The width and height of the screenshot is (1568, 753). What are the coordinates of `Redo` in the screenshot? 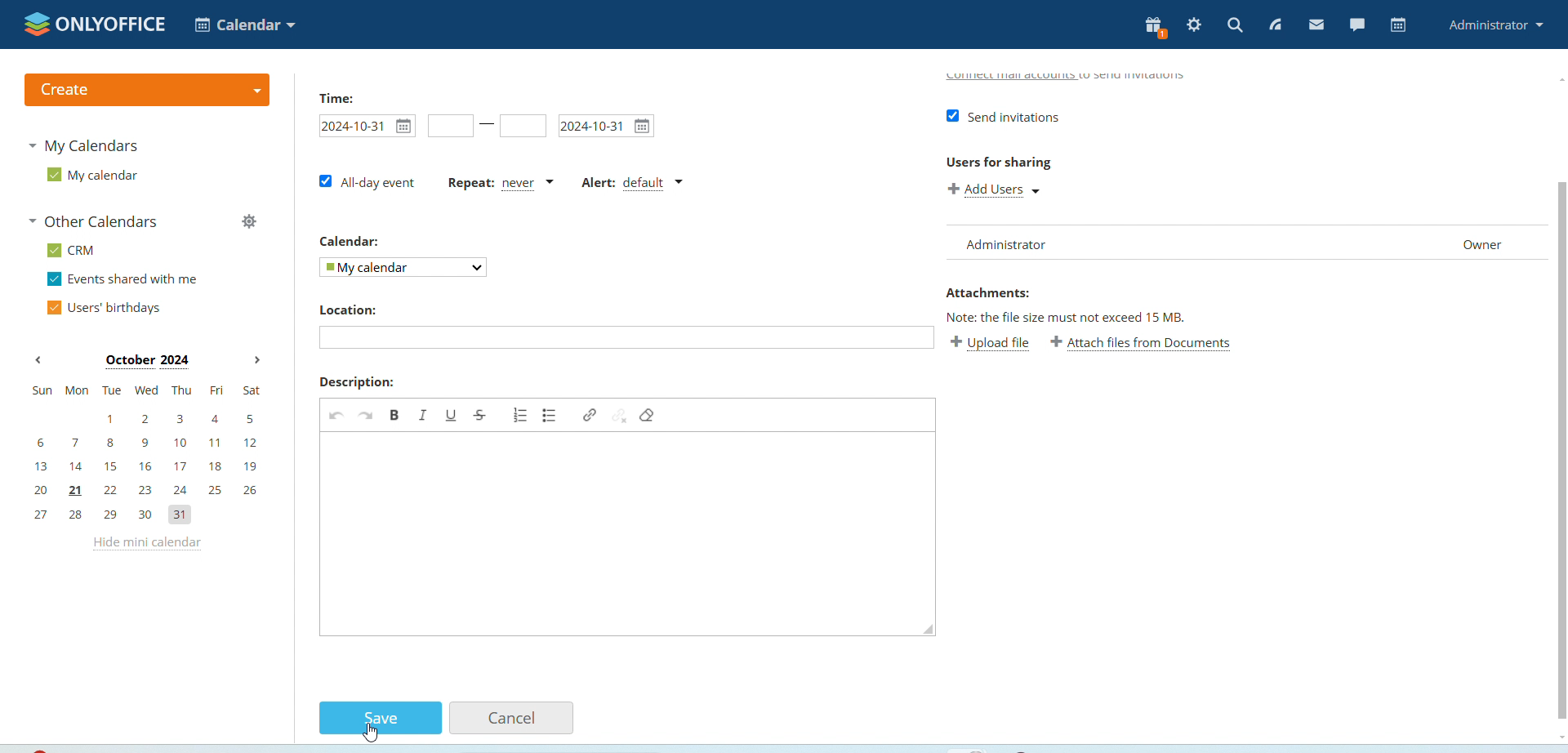 It's located at (366, 415).